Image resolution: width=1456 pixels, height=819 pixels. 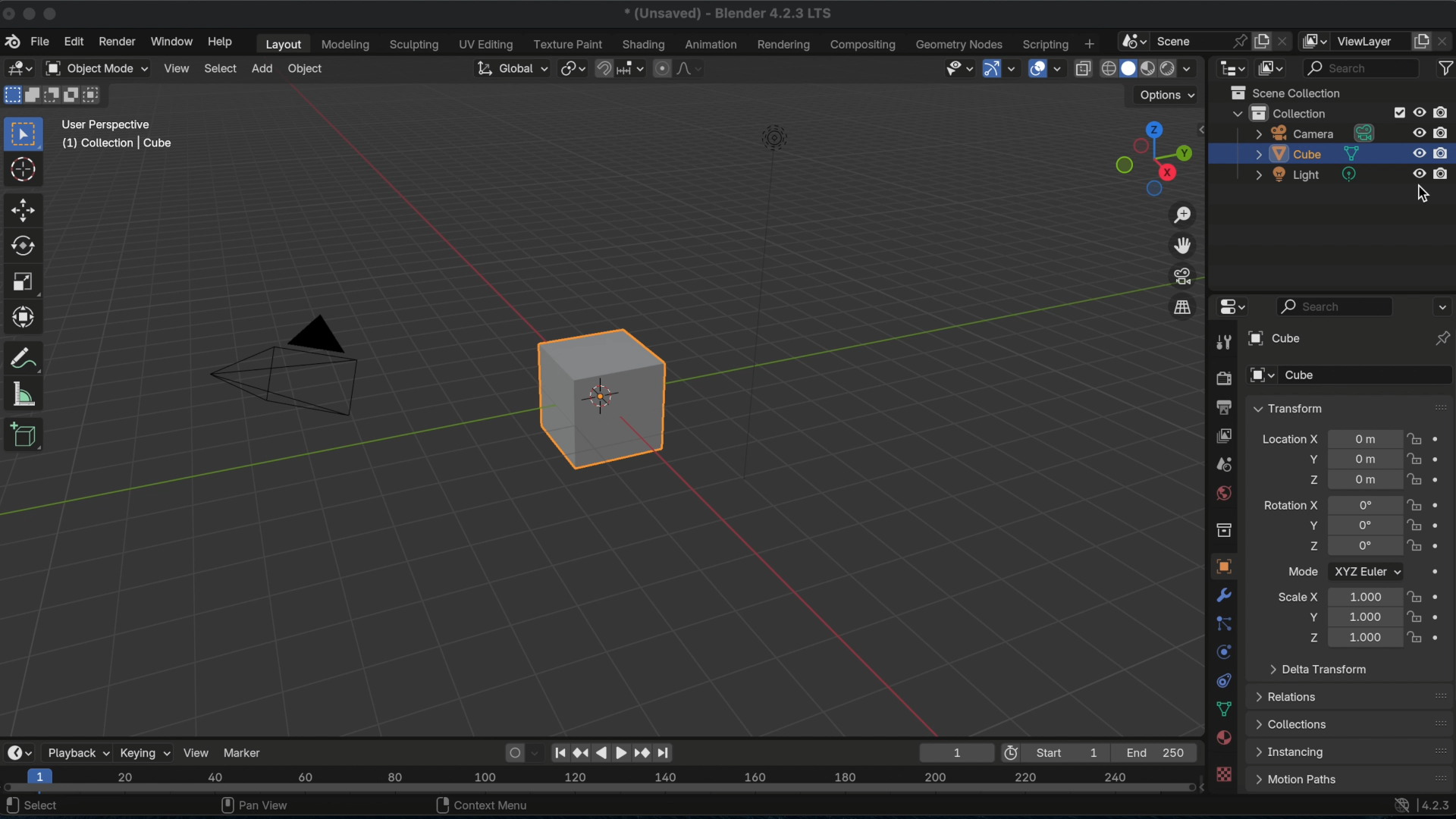 I want to click on delectability and visibility, so click(x=957, y=67).